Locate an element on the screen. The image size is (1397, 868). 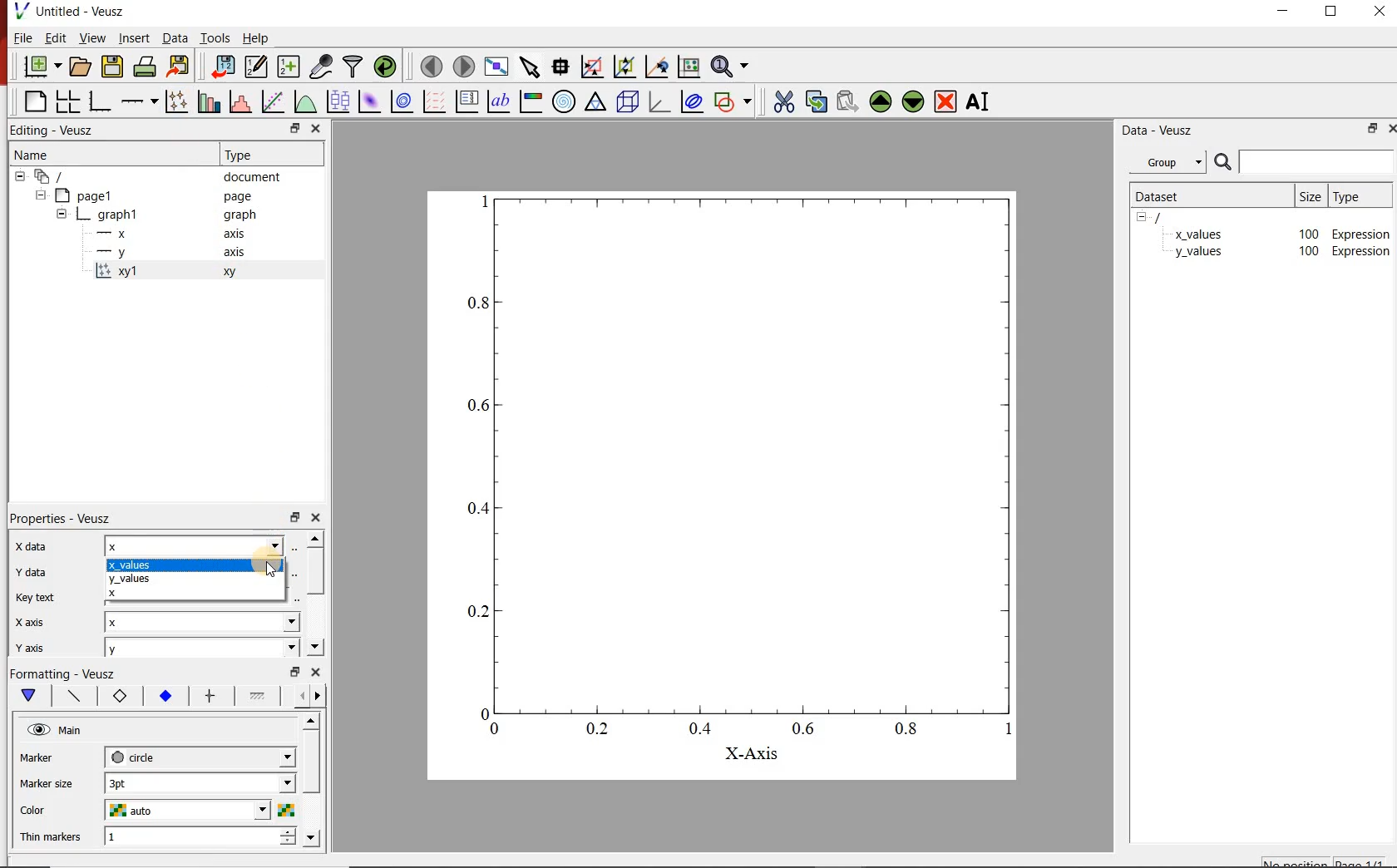
rename the selected widget is located at coordinates (980, 104).